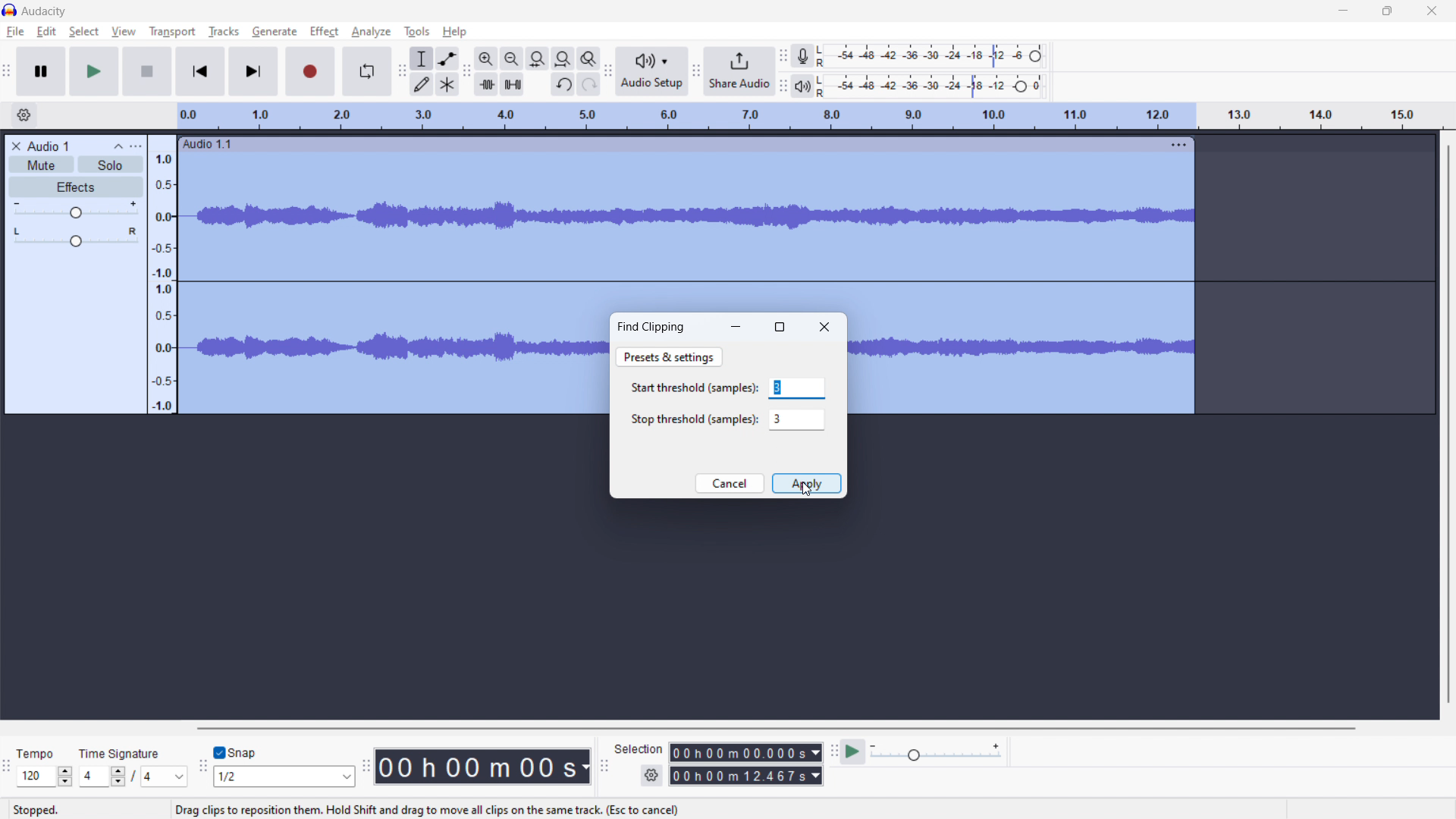 This screenshot has width=1456, height=819. Describe the element at coordinates (124, 32) in the screenshot. I see `view` at that location.